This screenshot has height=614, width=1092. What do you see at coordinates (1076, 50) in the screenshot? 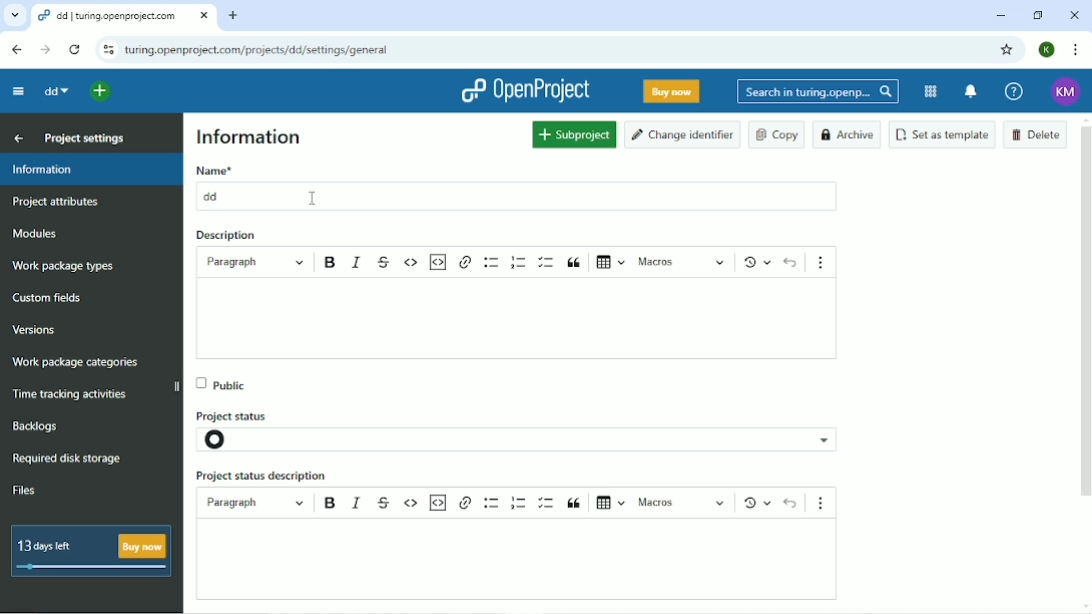
I see `Customize and control google chrome` at bounding box center [1076, 50].